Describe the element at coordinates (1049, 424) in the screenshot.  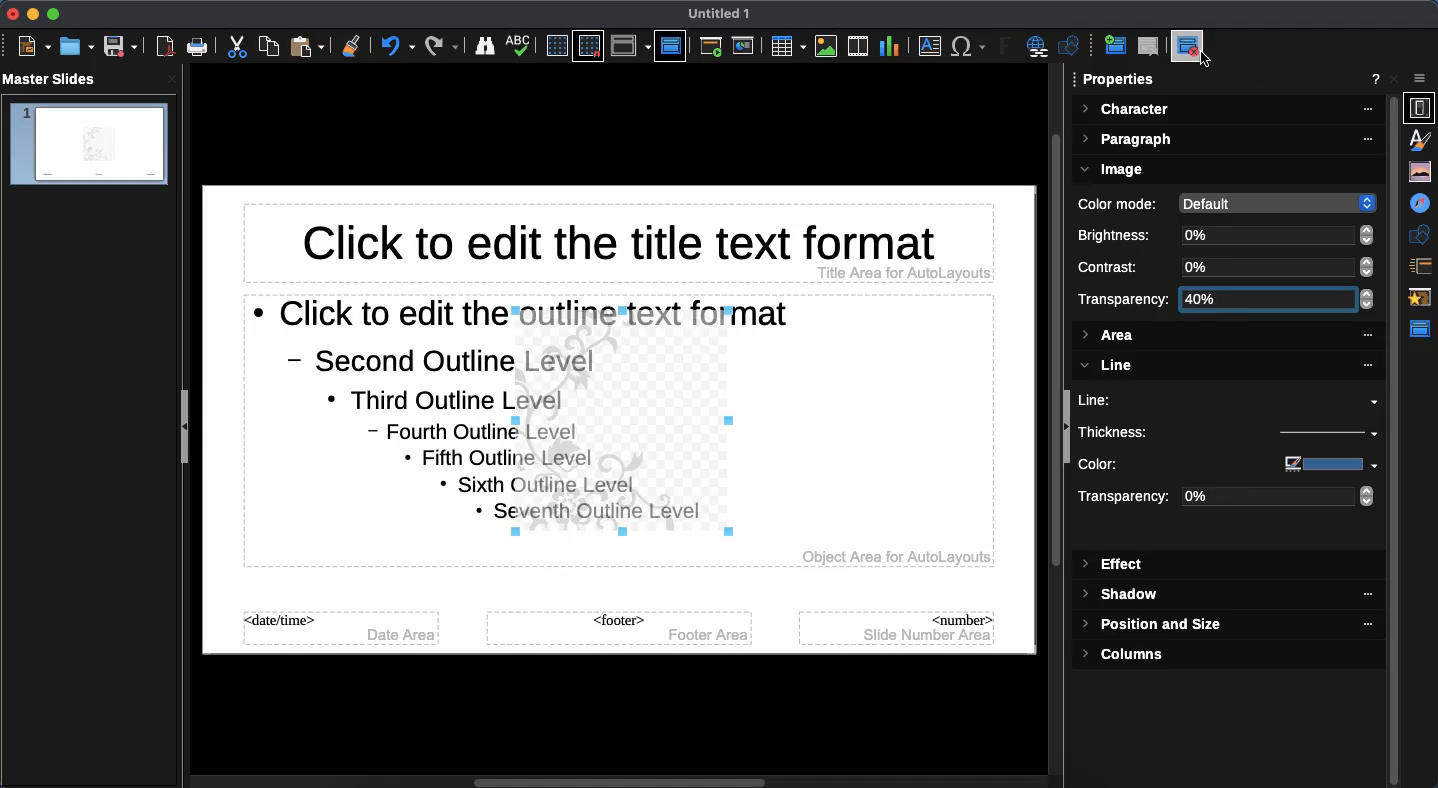
I see `vertical scroll bar` at that location.